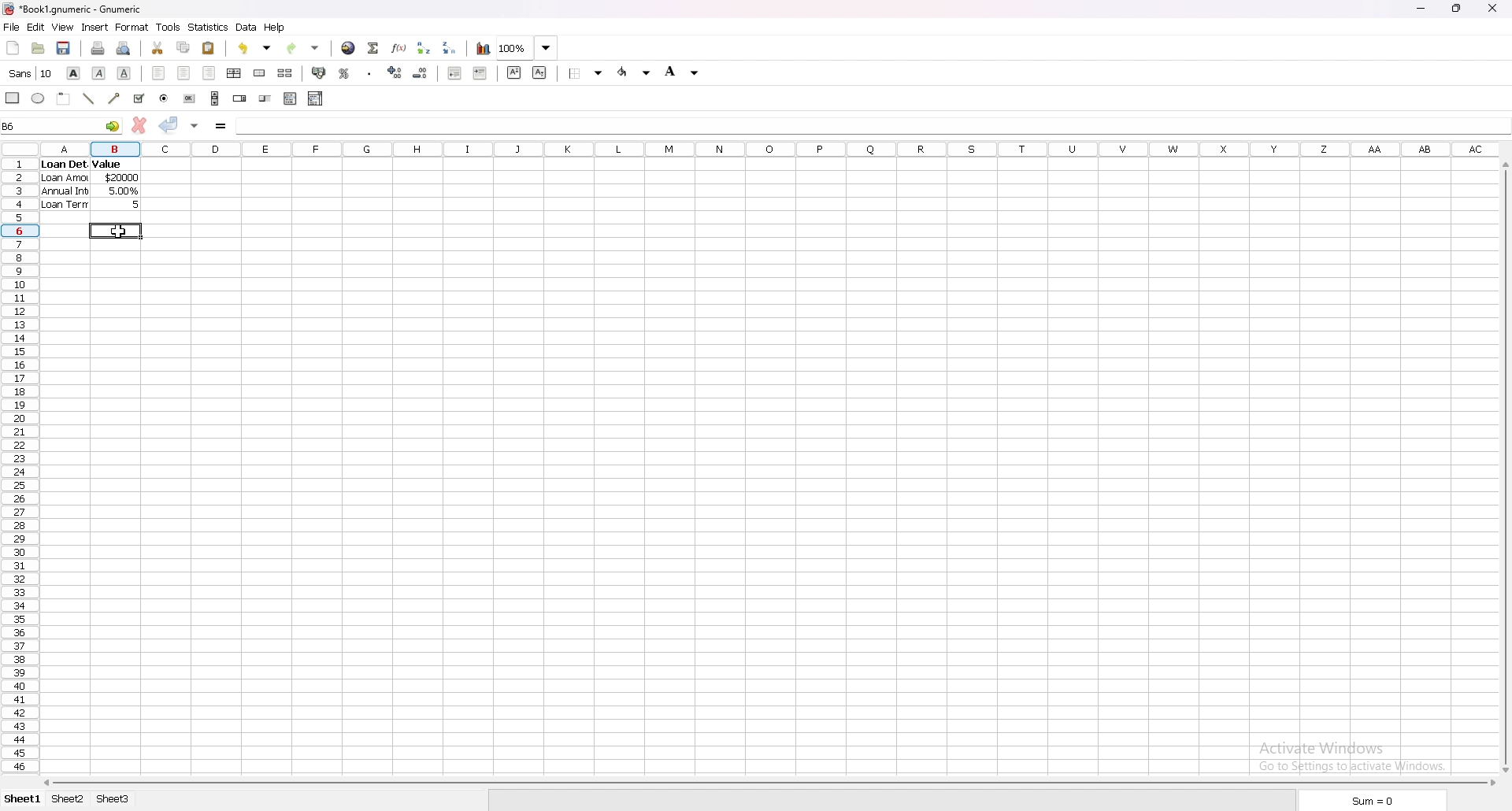 The image size is (1512, 811). I want to click on scroll bar, so click(768, 783).